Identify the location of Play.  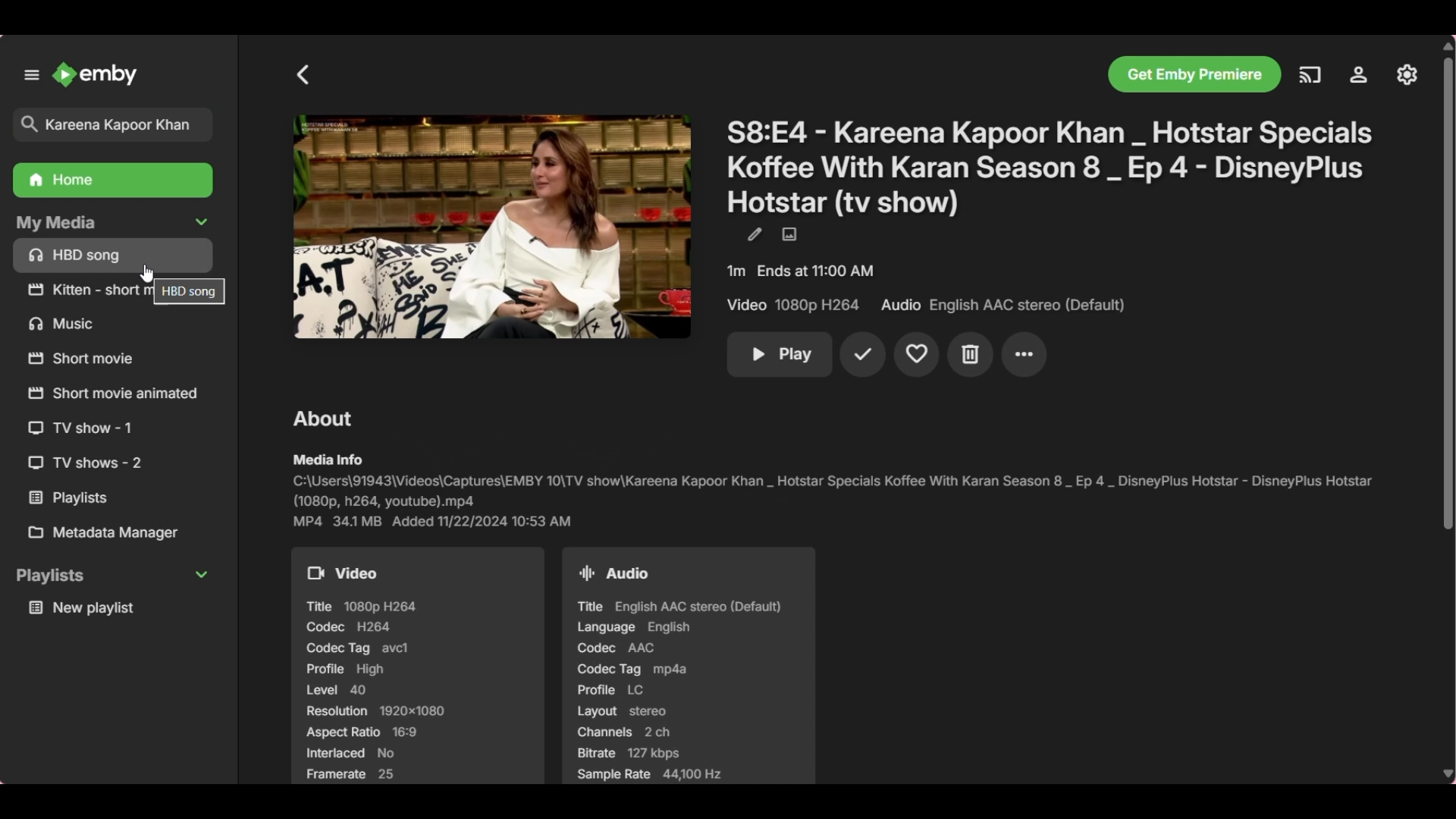
(779, 355).